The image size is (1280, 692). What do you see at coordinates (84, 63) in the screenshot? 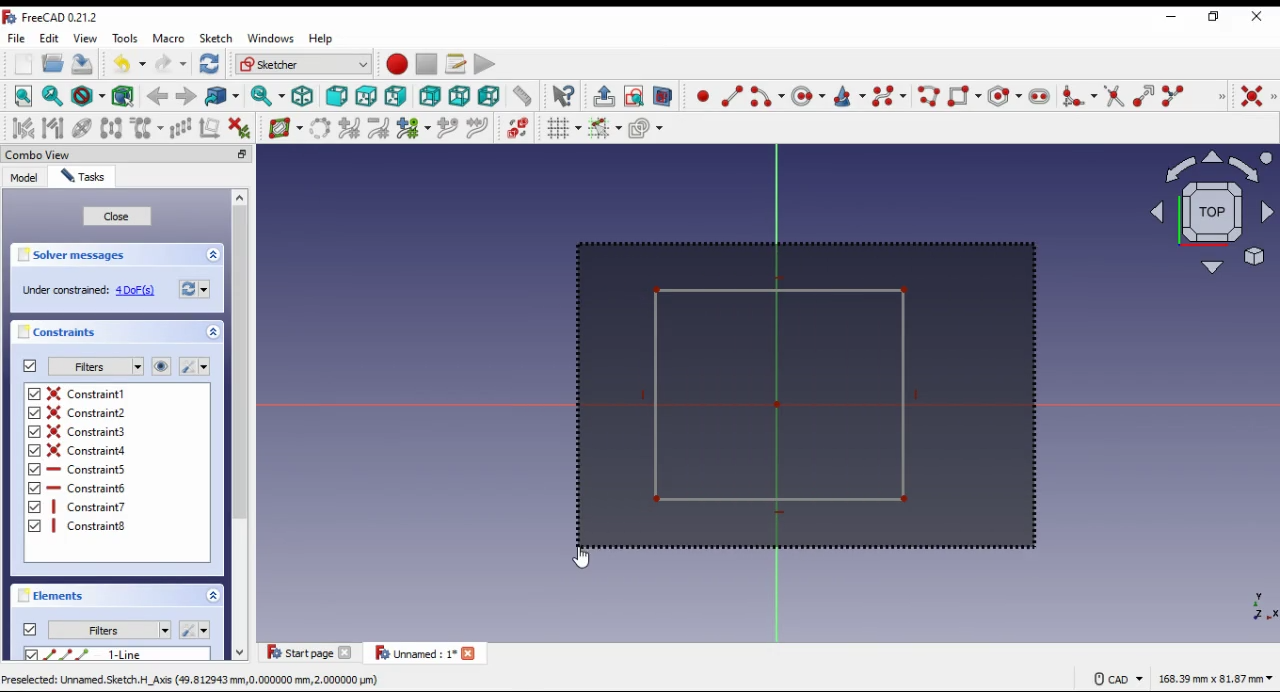
I see `save` at bounding box center [84, 63].